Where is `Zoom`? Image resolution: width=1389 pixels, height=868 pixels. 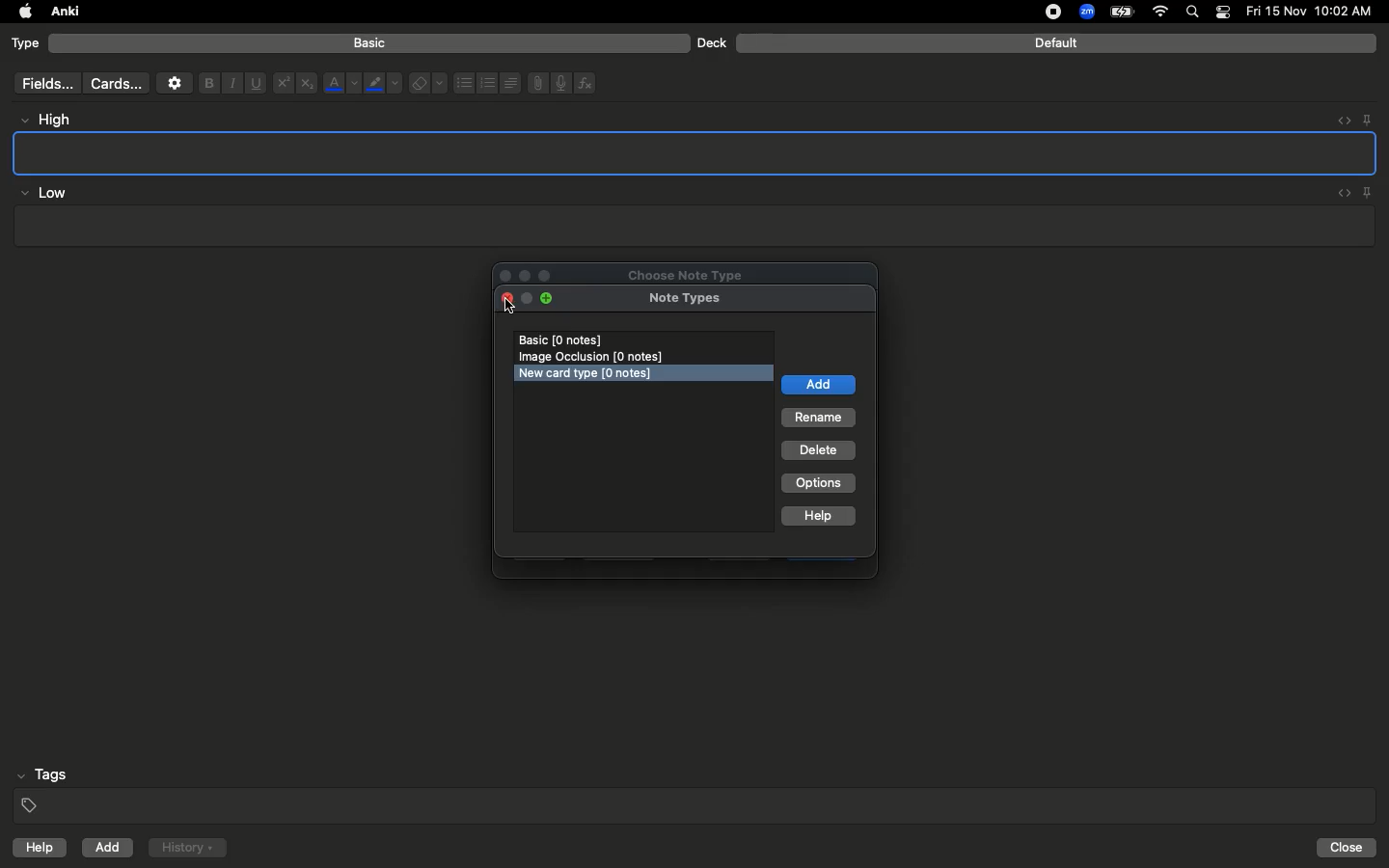
Zoom is located at coordinates (1085, 13).